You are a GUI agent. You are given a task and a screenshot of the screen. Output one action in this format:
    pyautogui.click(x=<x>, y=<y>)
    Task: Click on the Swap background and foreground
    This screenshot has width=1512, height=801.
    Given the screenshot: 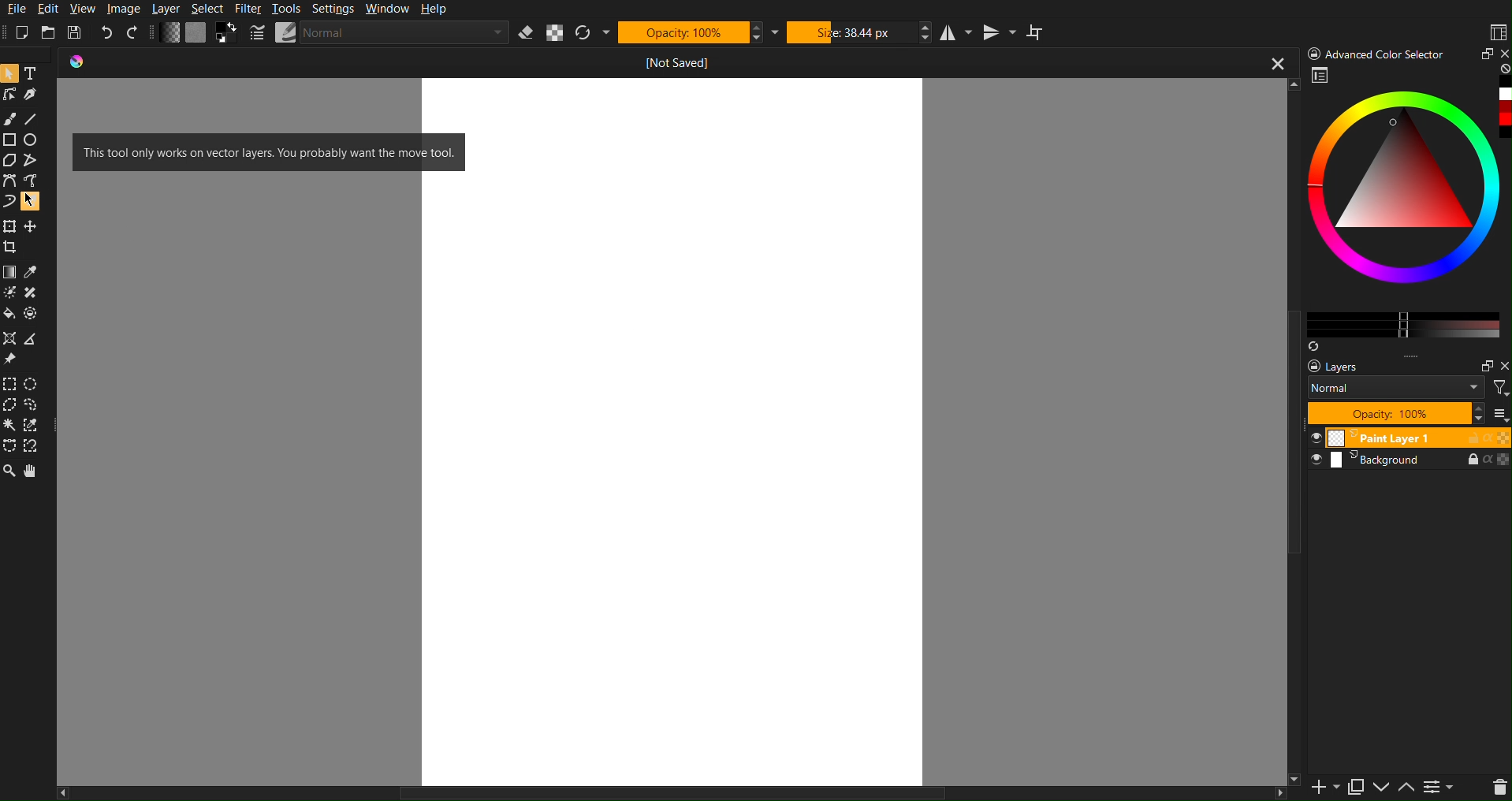 What is the action you would take?
    pyautogui.click(x=229, y=32)
    